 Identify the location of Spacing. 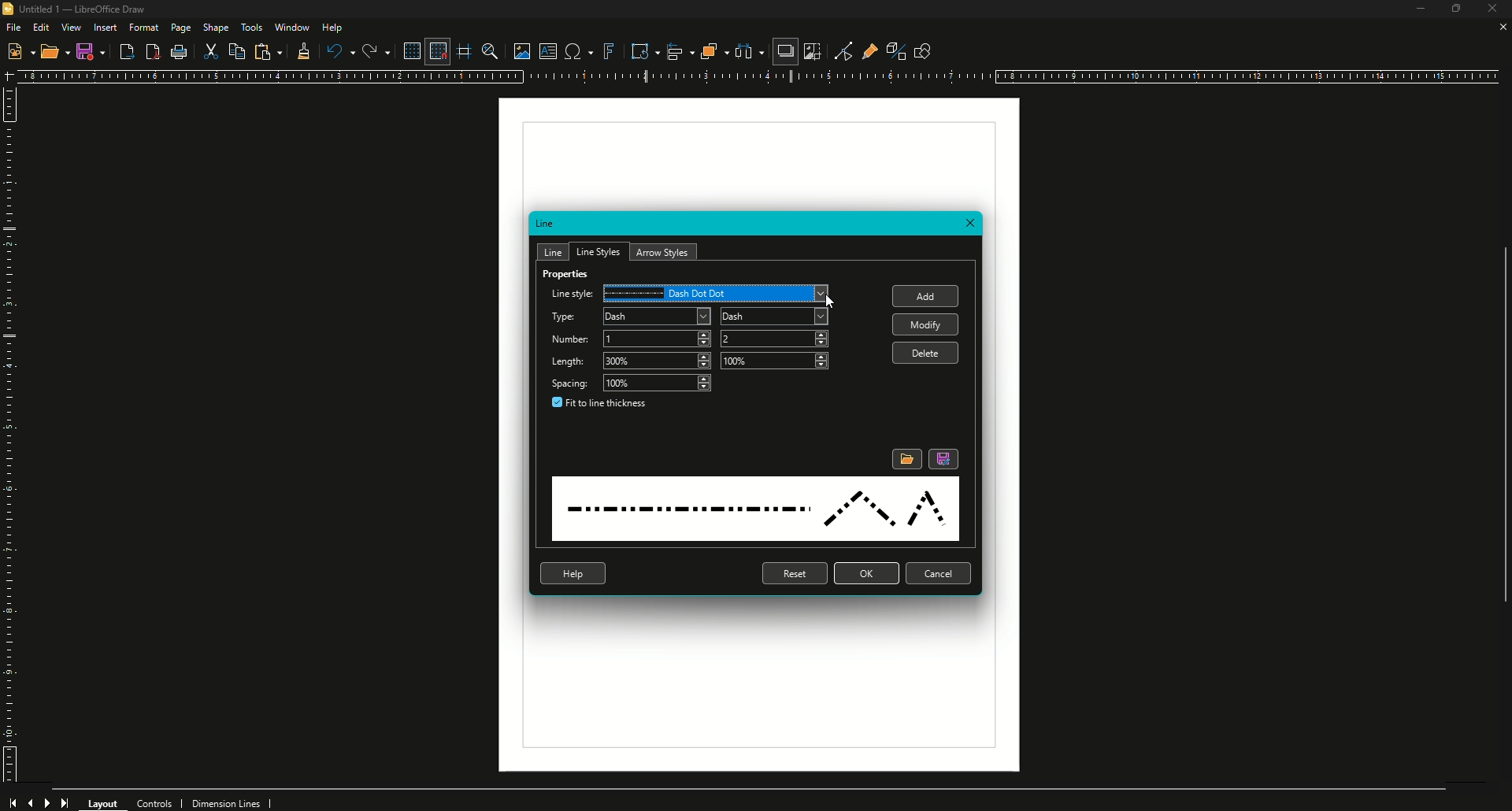
(571, 383).